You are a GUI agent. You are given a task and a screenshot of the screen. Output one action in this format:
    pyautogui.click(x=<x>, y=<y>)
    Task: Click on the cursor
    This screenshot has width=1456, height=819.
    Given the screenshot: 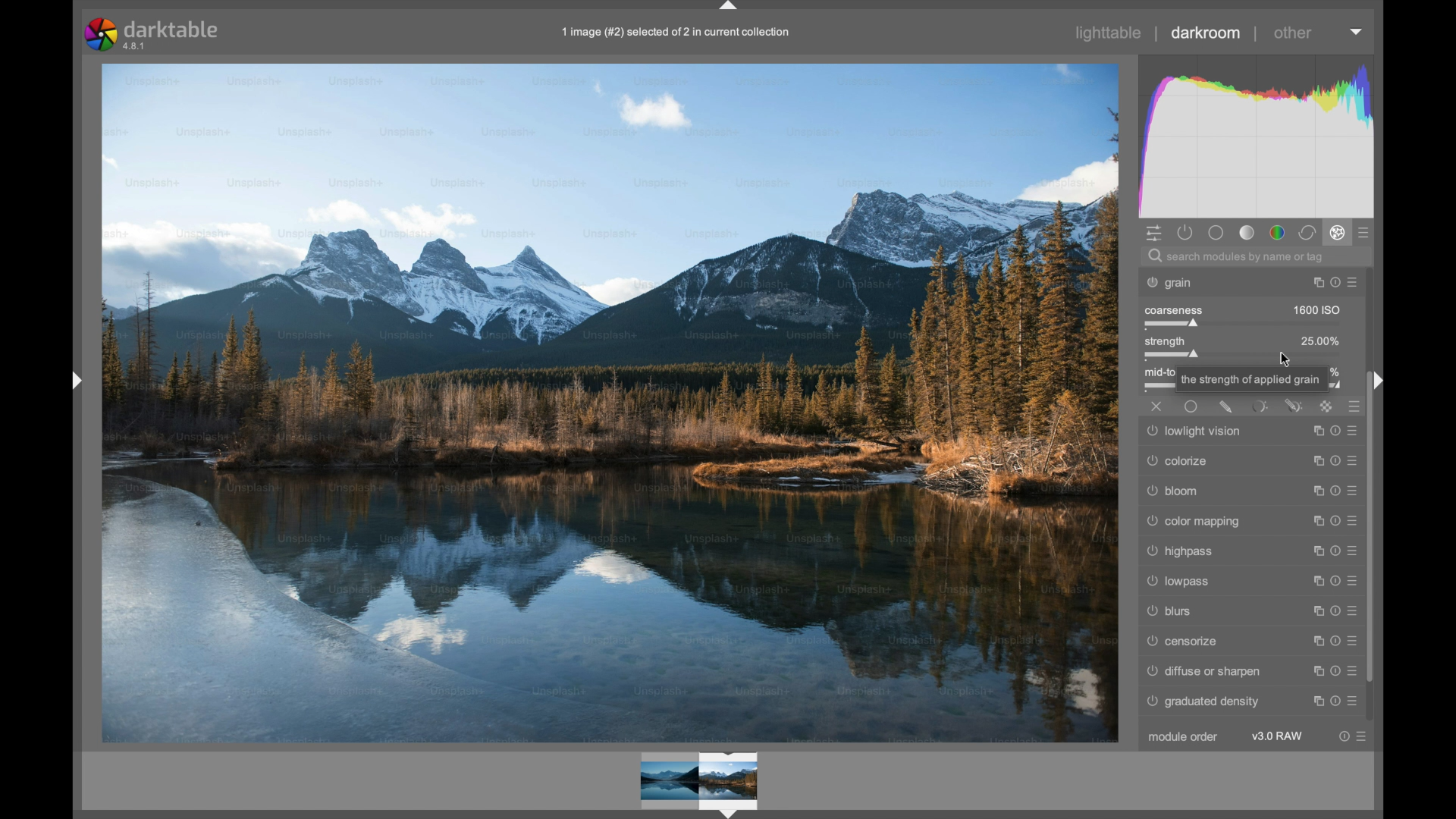 What is the action you would take?
    pyautogui.click(x=1287, y=358)
    